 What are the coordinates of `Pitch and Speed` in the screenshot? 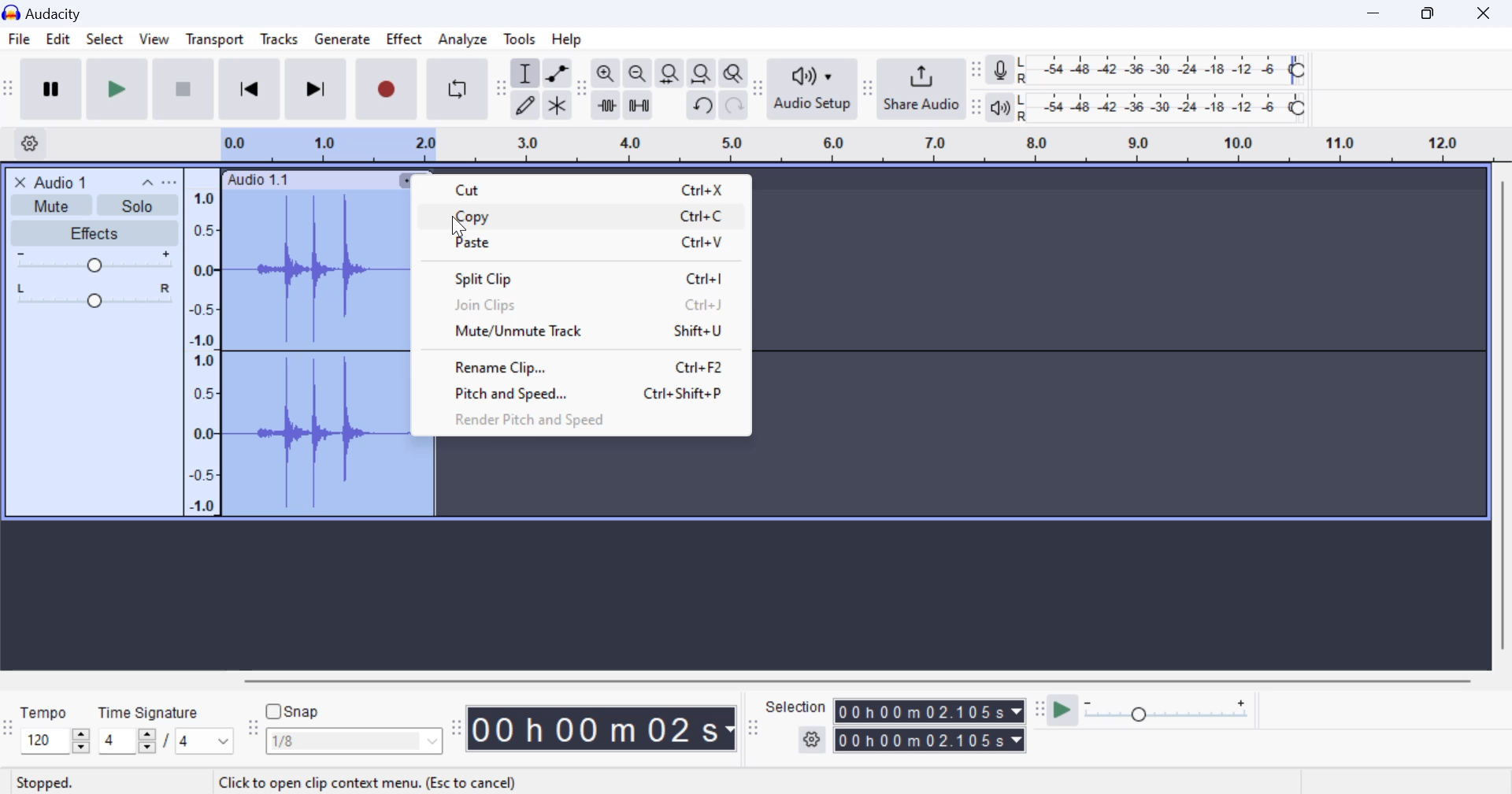 It's located at (573, 393).